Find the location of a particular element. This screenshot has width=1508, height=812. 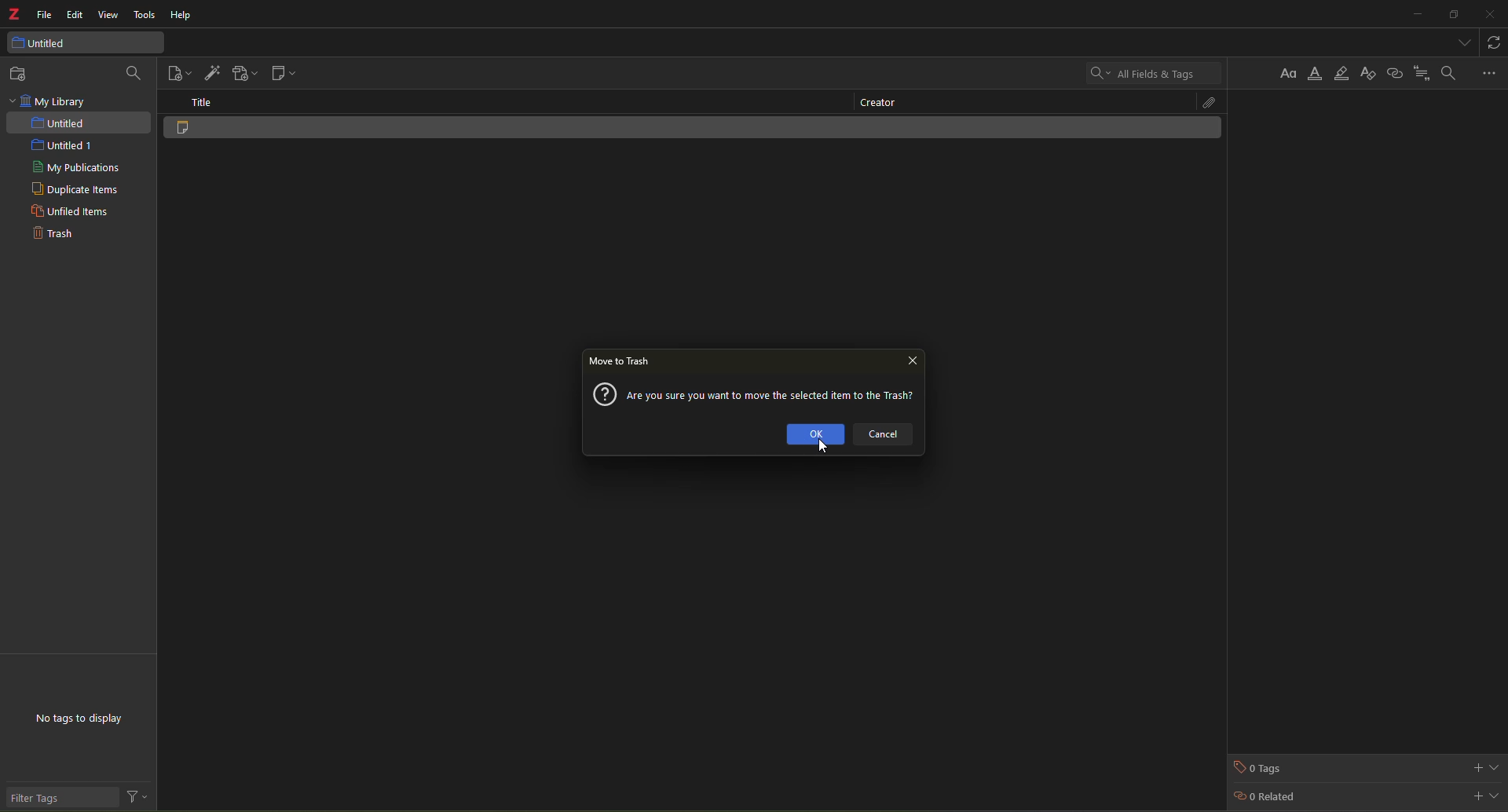

attach is located at coordinates (1199, 101).